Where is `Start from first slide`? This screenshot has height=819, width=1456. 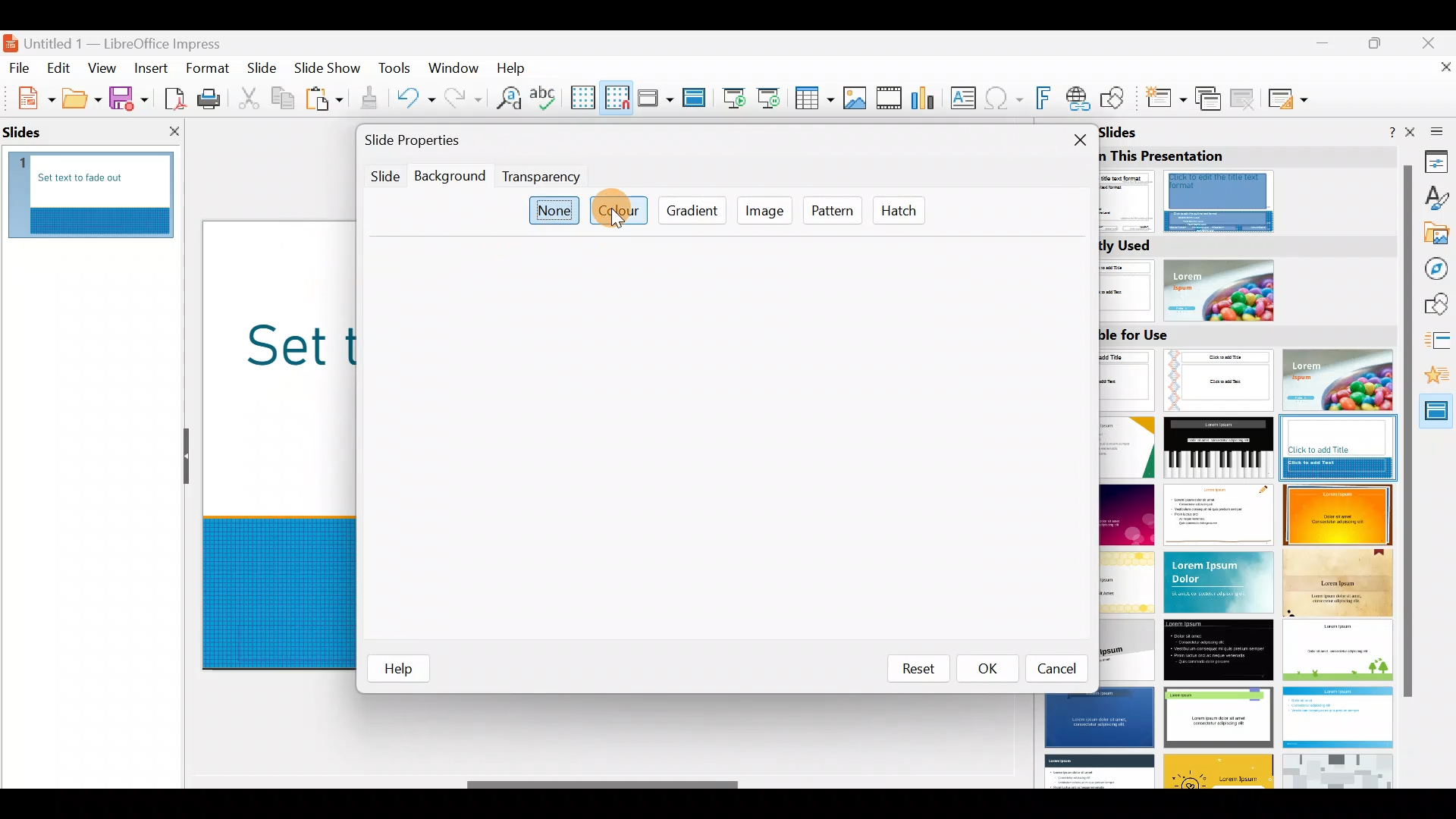 Start from first slide is located at coordinates (734, 96).